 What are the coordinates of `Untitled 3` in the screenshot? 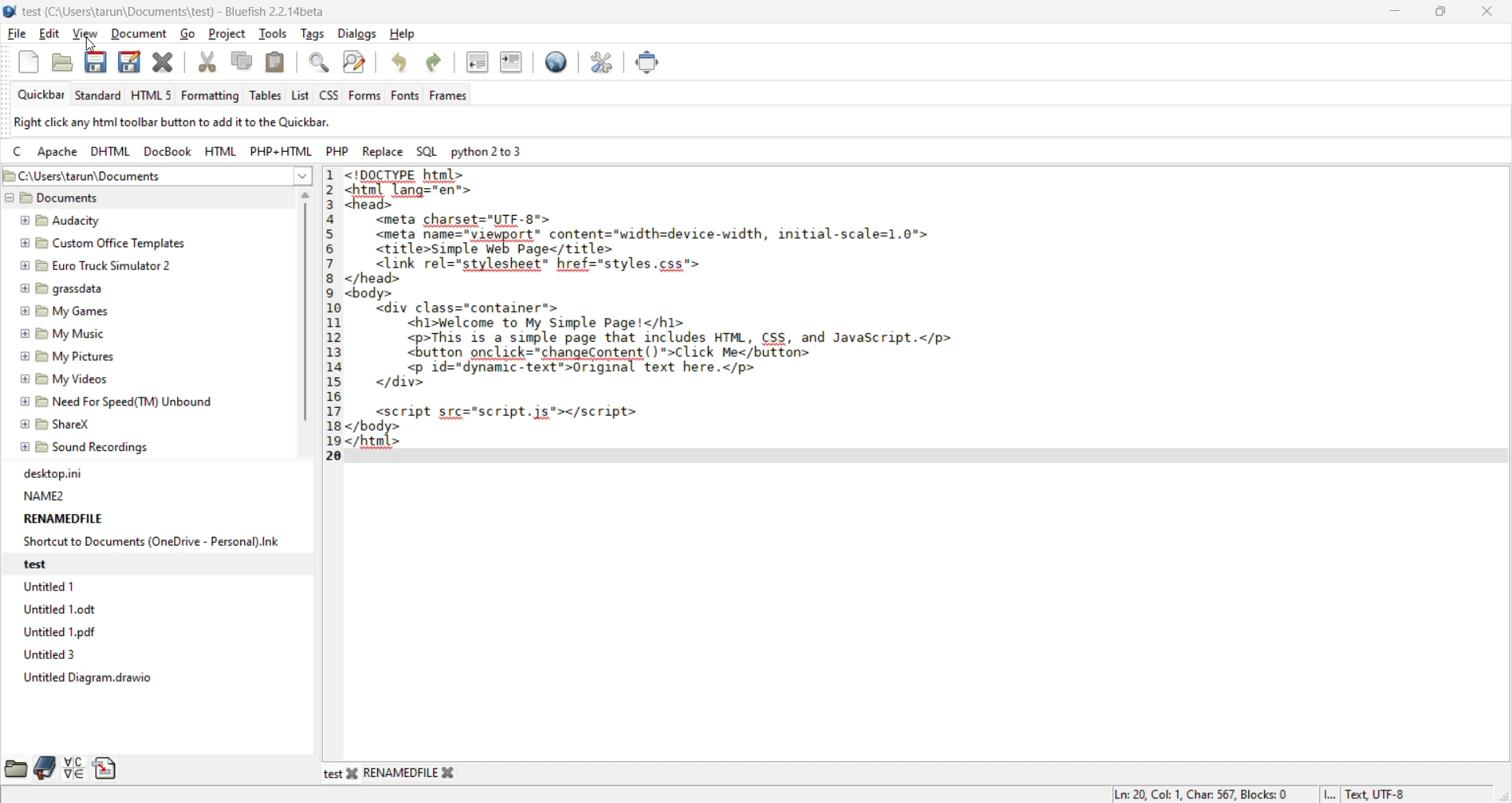 It's located at (47, 655).